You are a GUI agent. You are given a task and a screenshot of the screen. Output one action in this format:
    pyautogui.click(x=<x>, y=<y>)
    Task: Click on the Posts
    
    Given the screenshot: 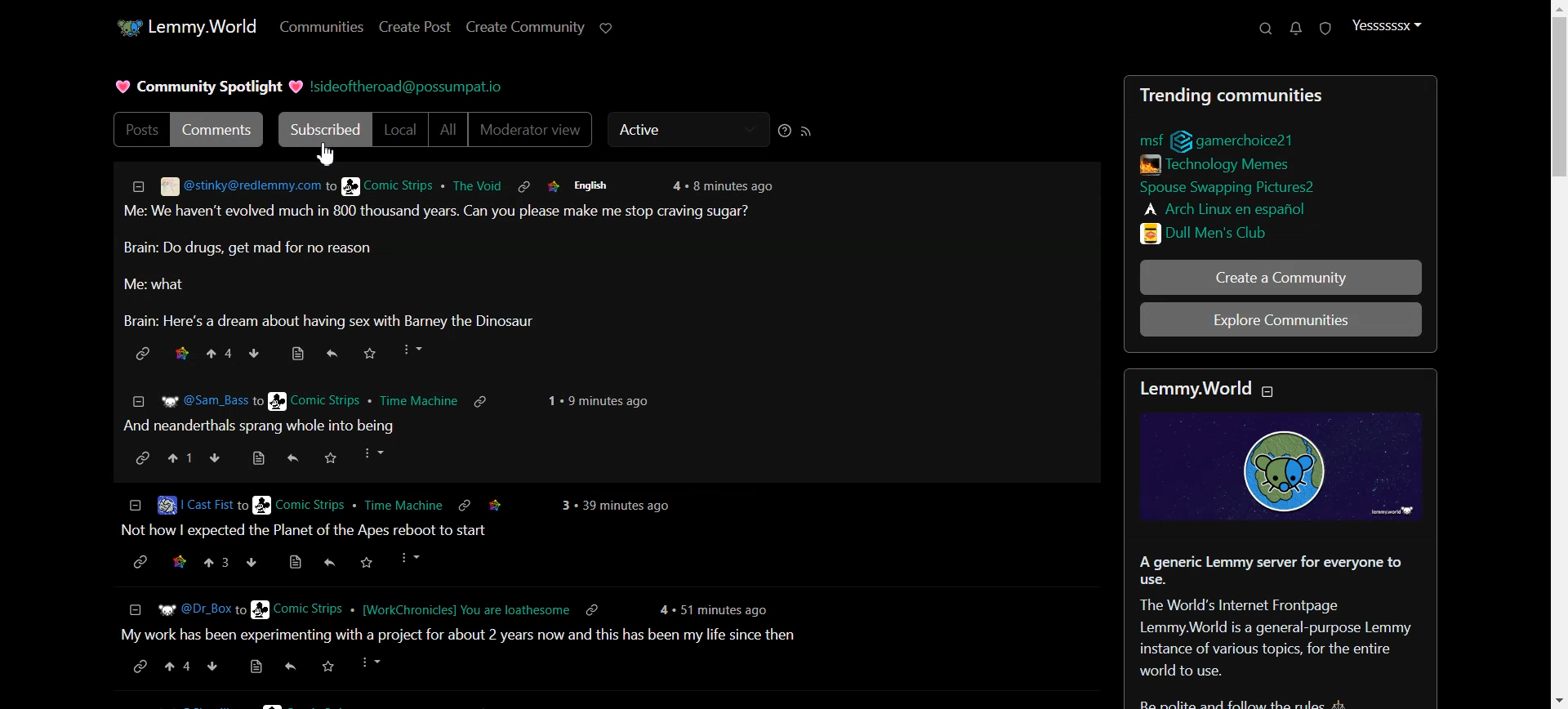 What is the action you would take?
    pyautogui.click(x=608, y=266)
    